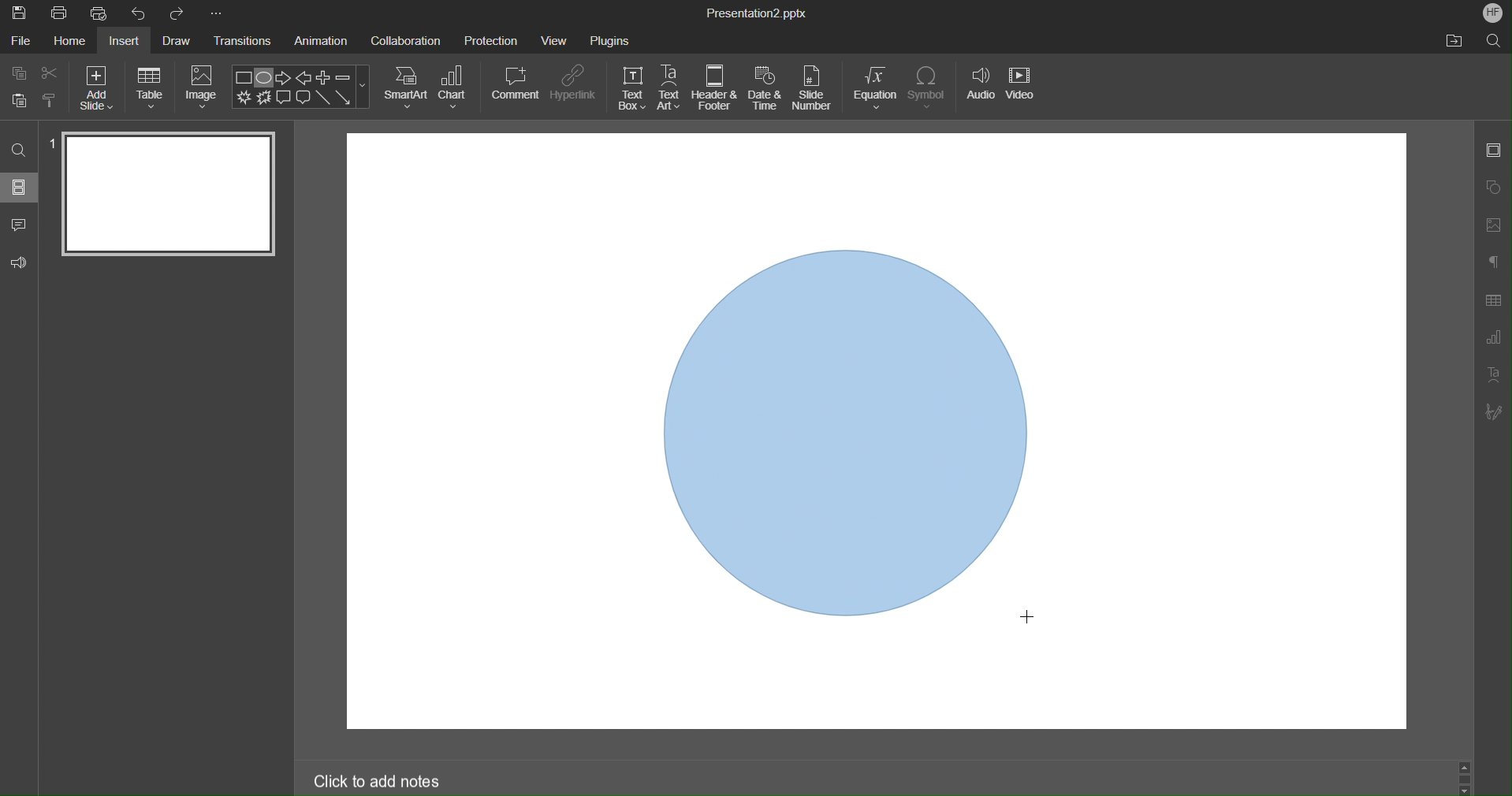 This screenshot has width=1512, height=796. Describe the element at coordinates (18, 13) in the screenshot. I see `Save` at that location.